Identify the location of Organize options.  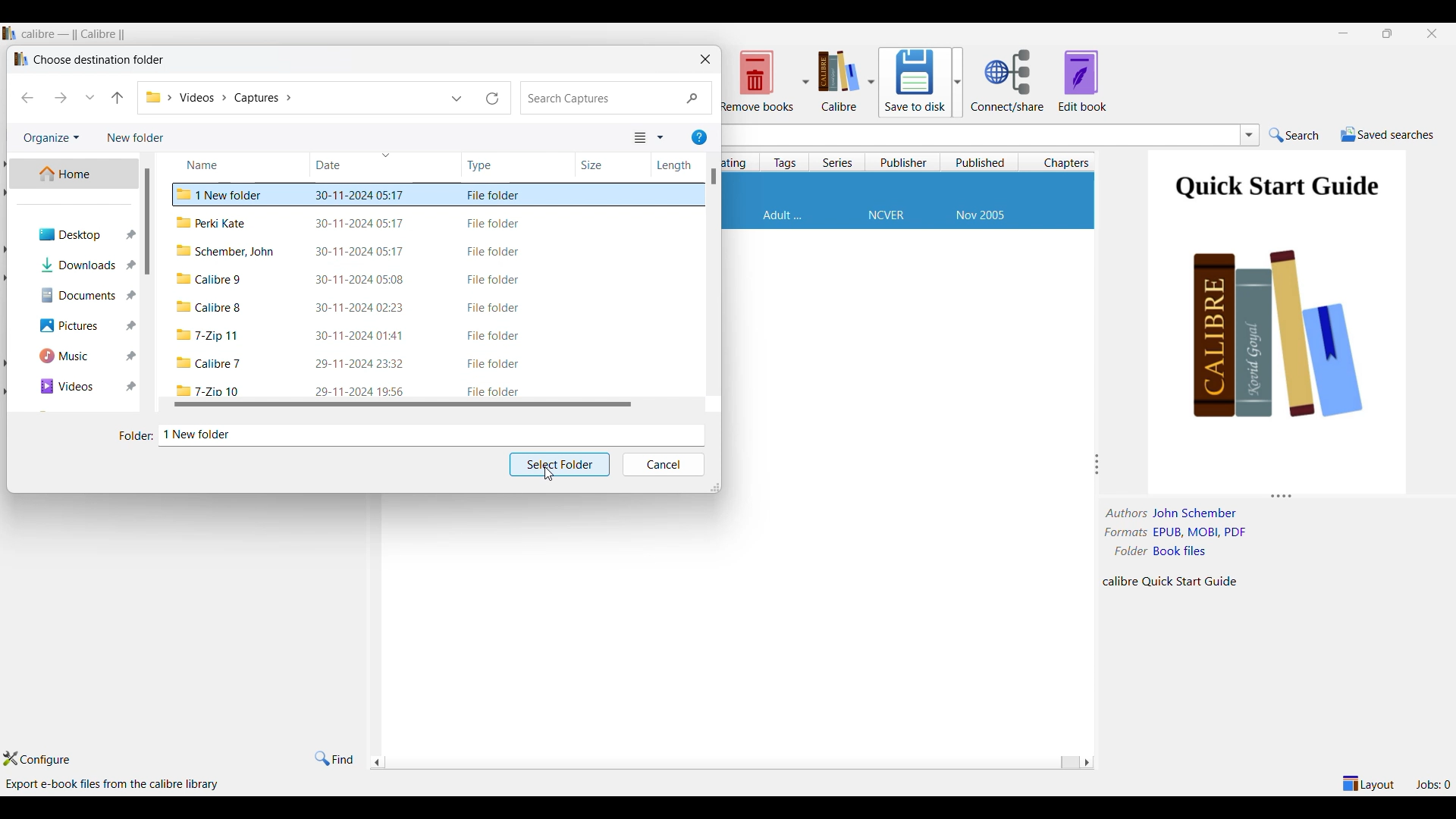
(52, 138).